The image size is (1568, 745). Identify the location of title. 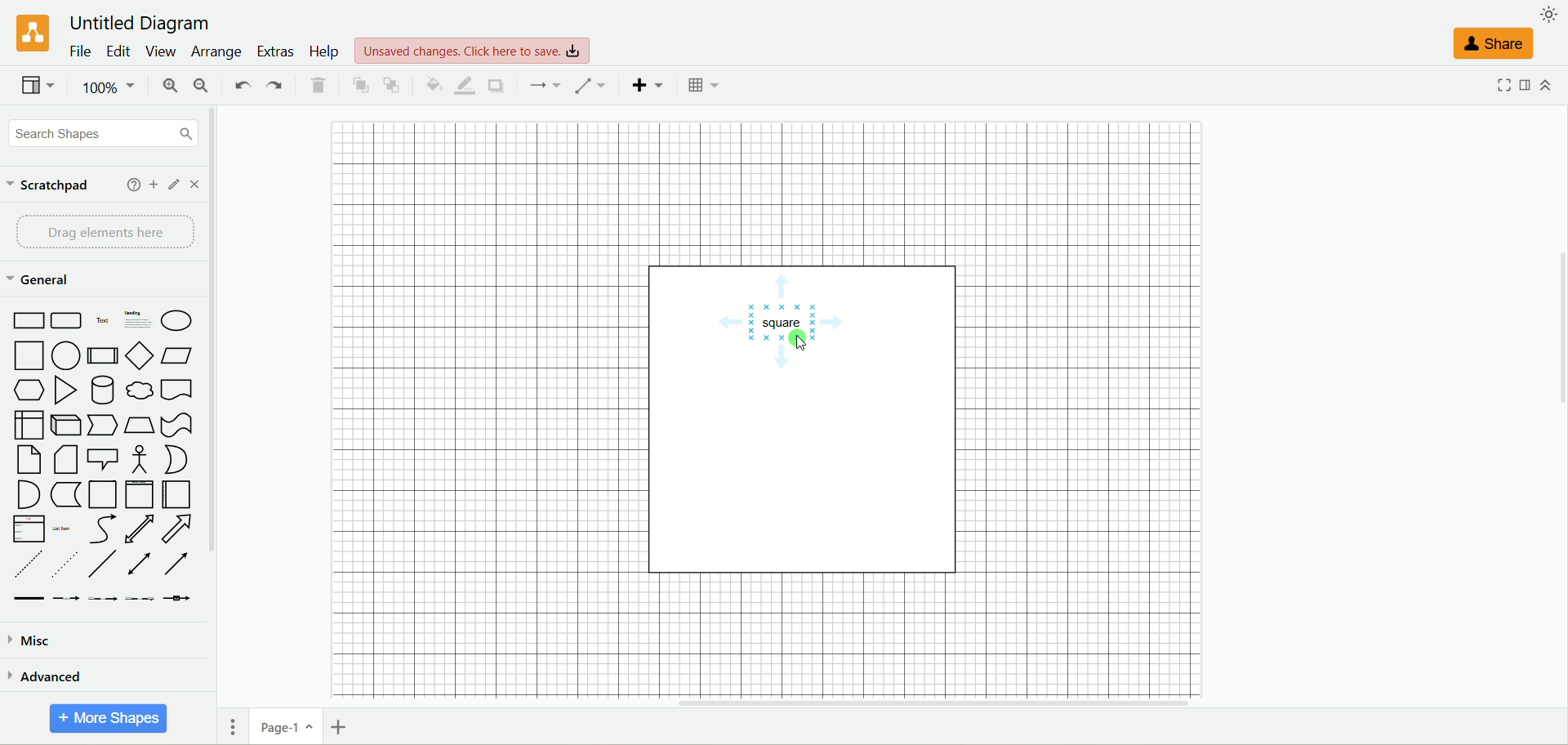
(141, 19).